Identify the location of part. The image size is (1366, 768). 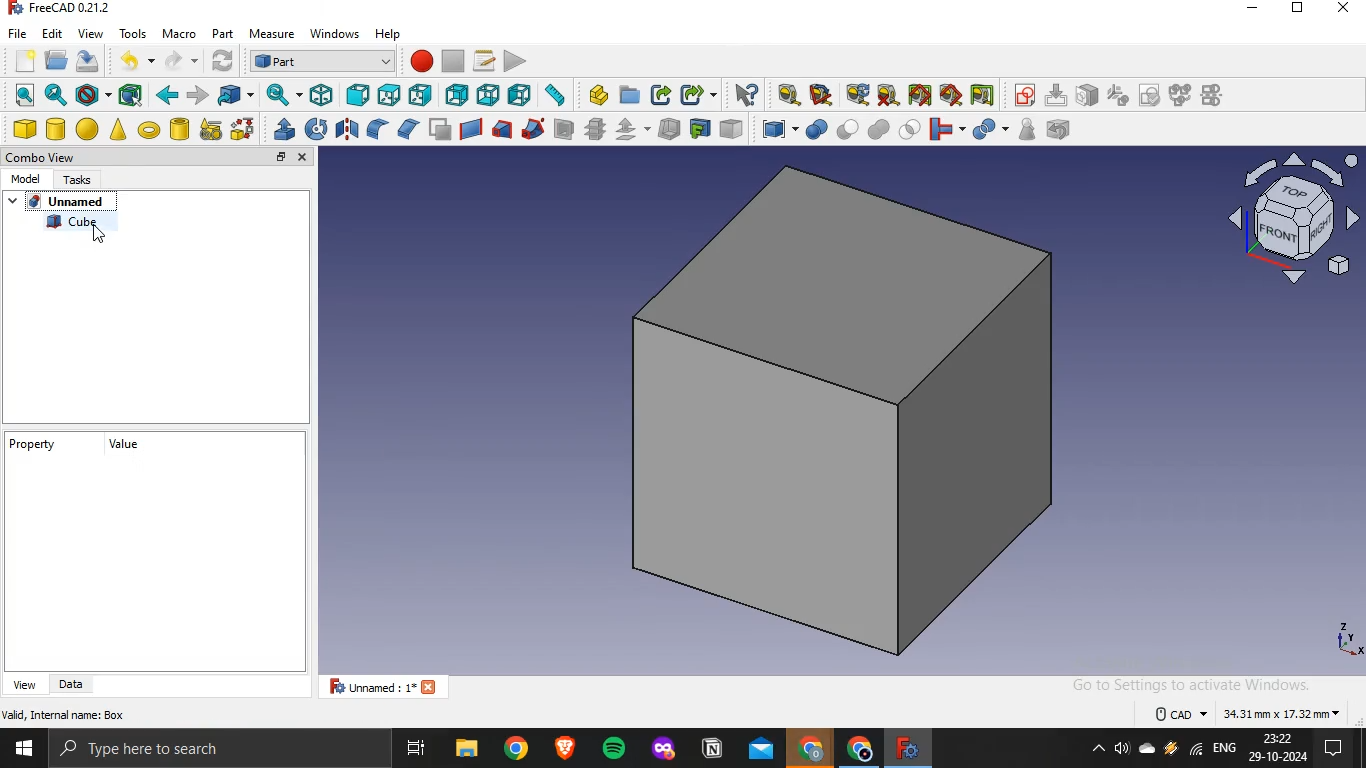
(221, 32).